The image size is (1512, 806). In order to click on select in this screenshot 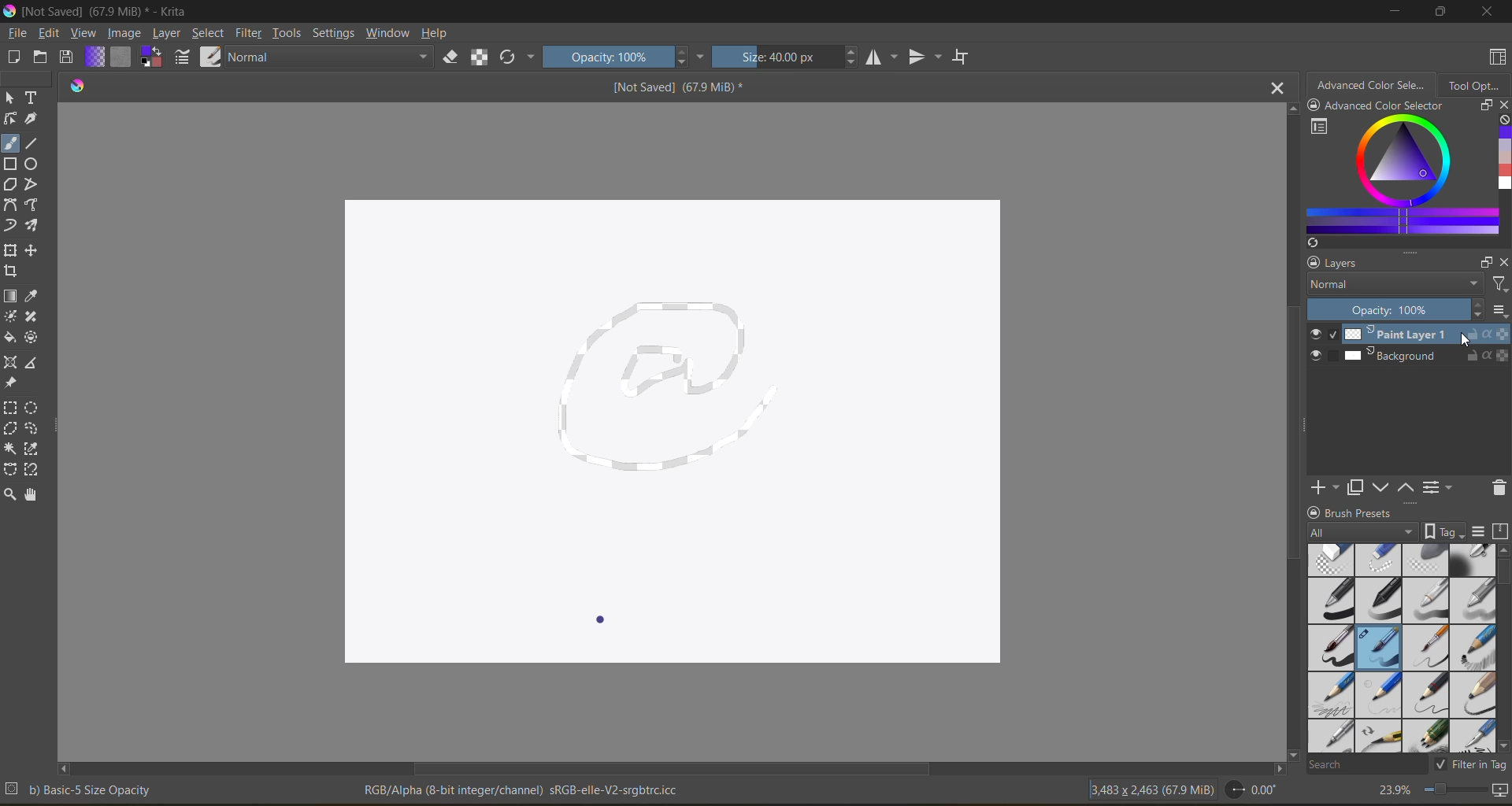, I will do `click(209, 33)`.